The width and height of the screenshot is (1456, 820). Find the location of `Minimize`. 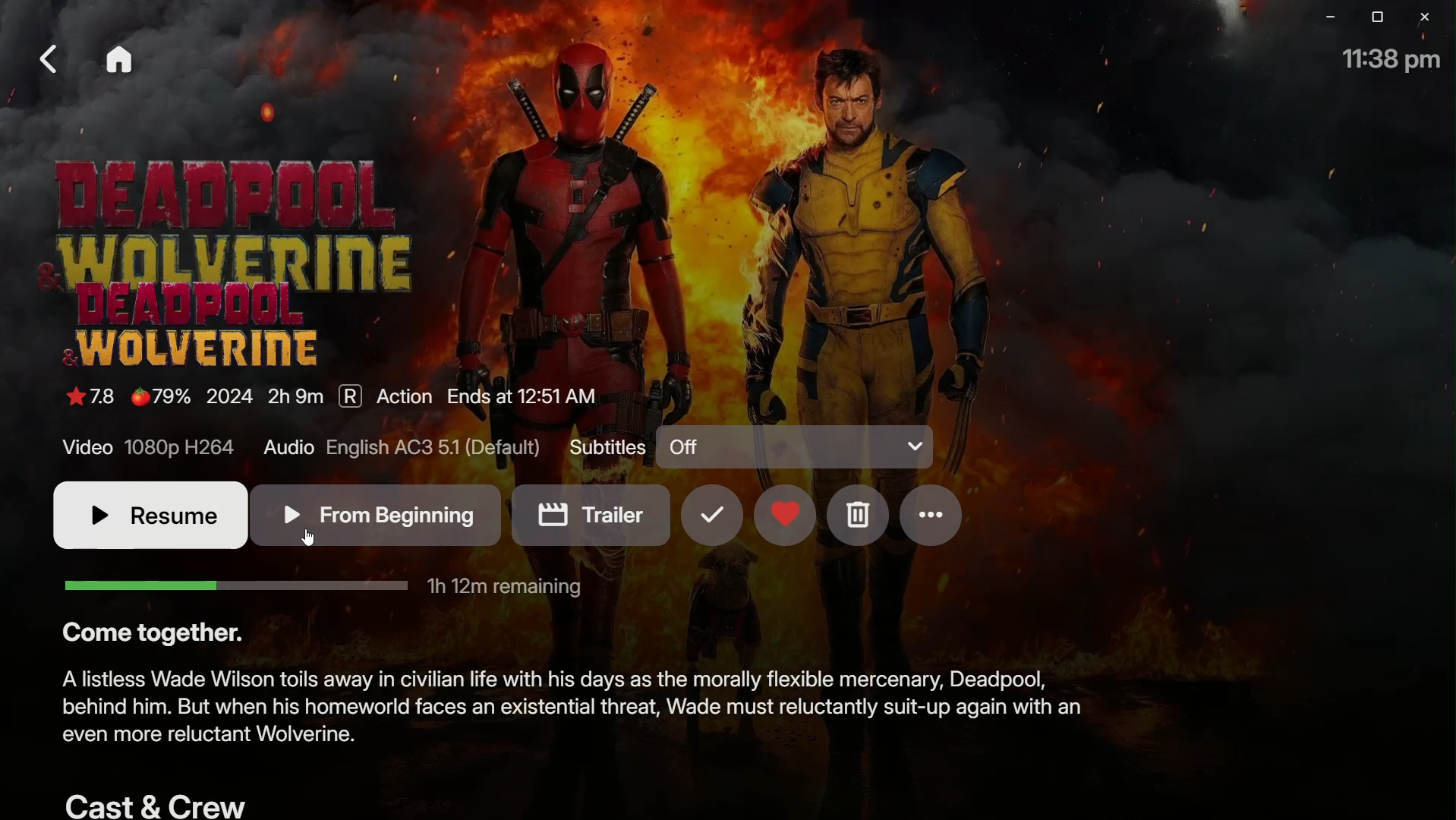

Minimize is located at coordinates (1323, 19).